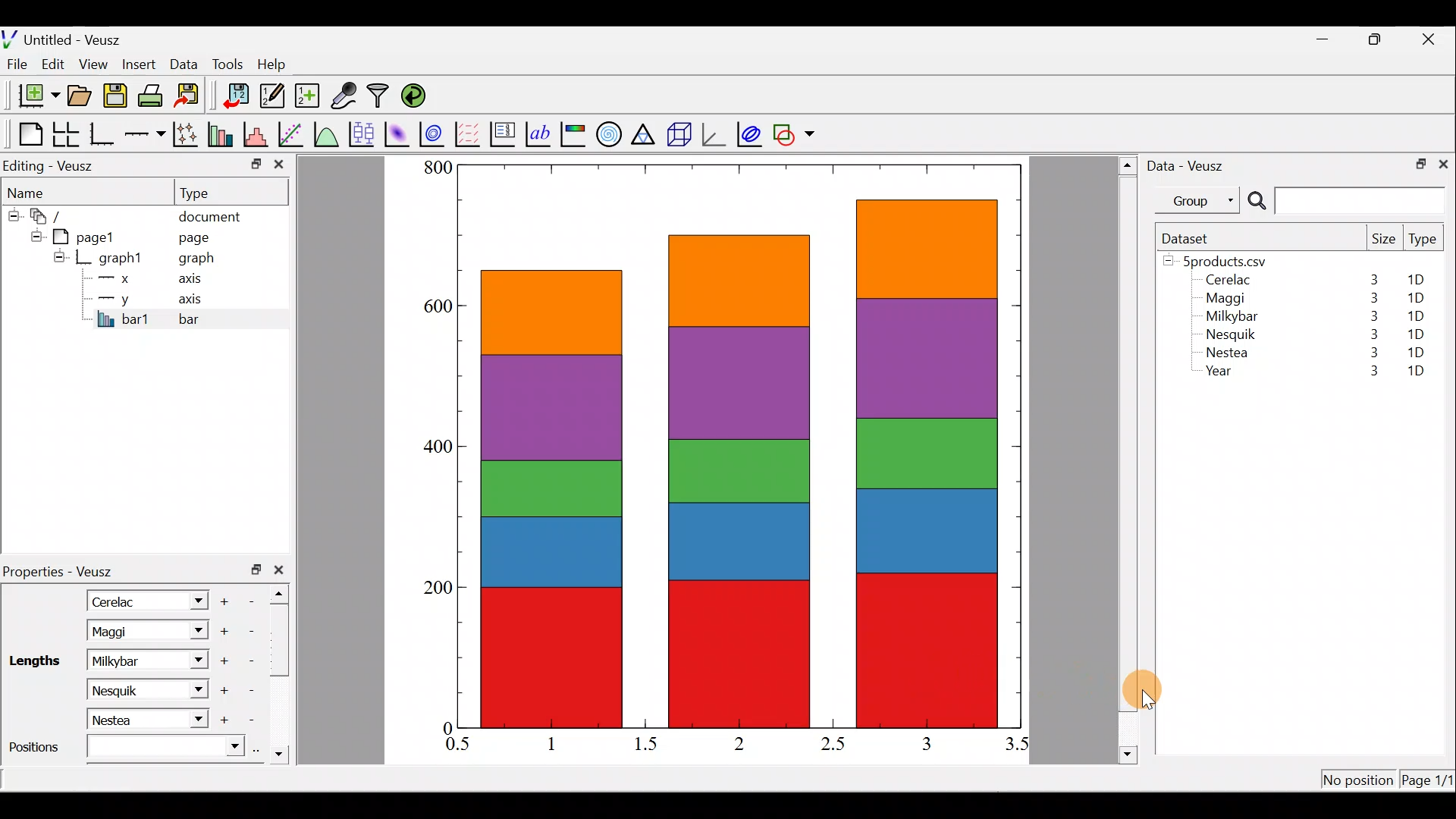  Describe the element at coordinates (64, 572) in the screenshot. I see `Properties - Veusz` at that location.